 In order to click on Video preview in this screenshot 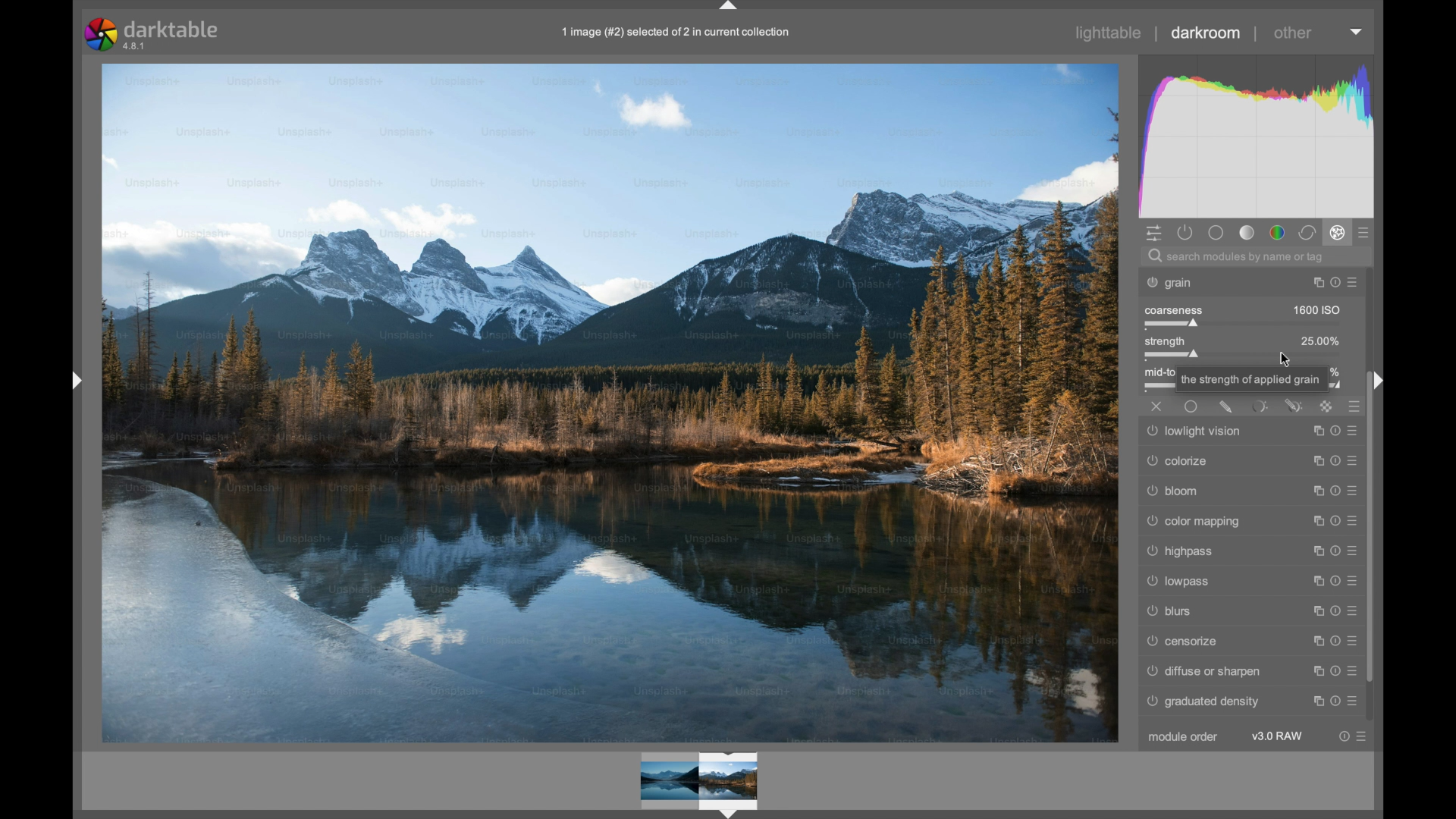, I will do `click(696, 784)`.